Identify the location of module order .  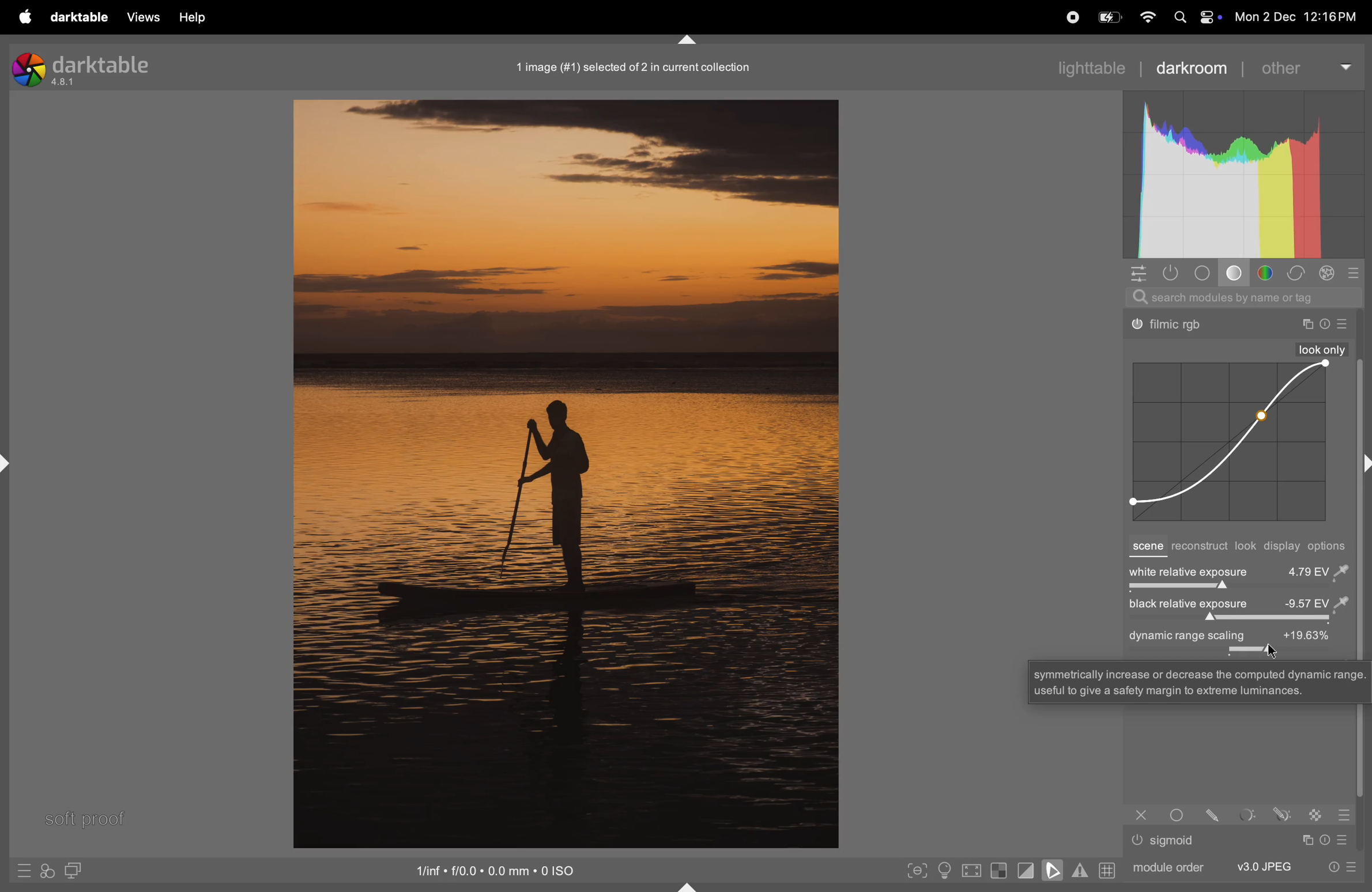
(1166, 866).